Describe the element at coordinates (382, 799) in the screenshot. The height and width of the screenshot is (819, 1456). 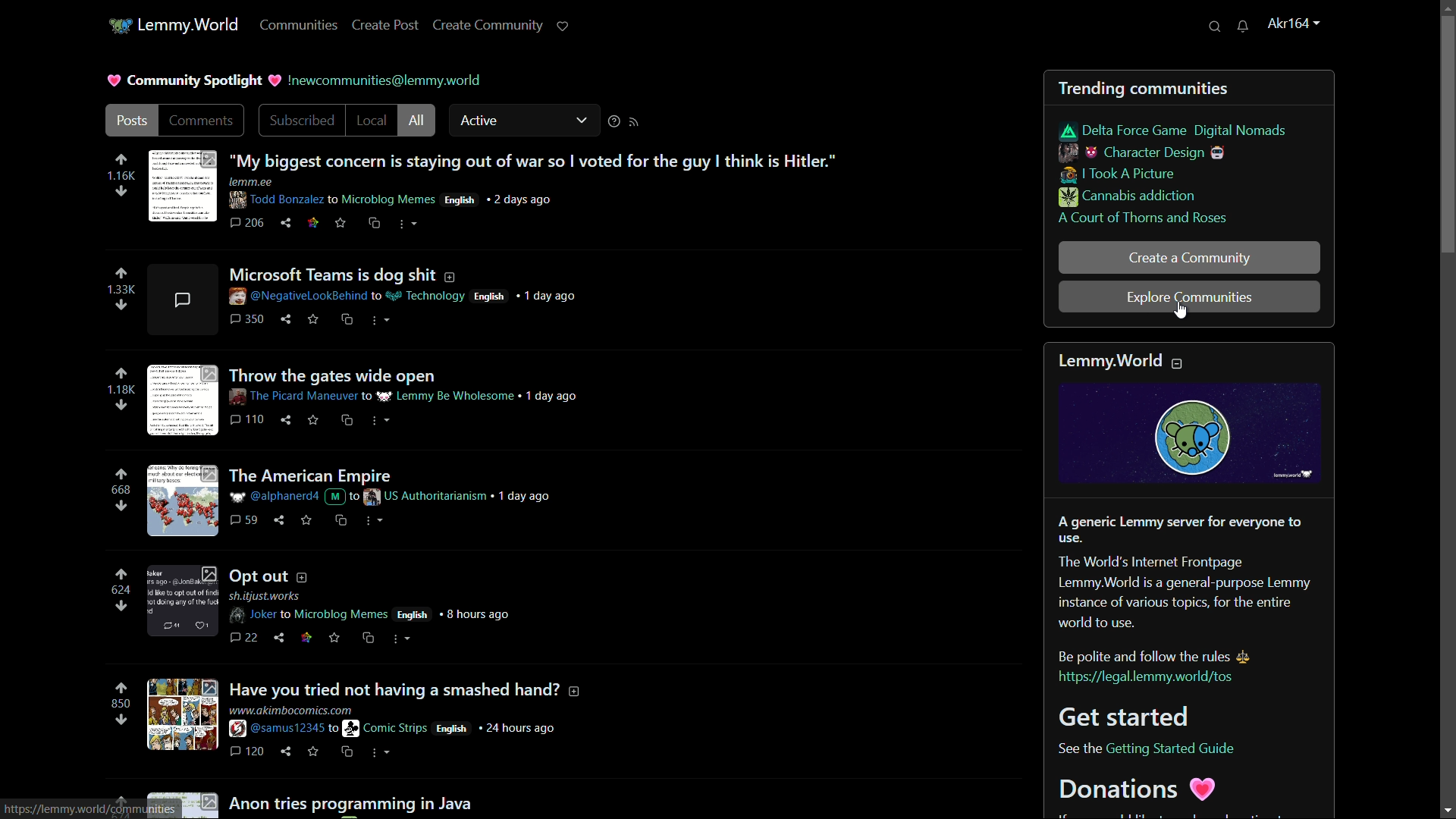
I see `text` at that location.